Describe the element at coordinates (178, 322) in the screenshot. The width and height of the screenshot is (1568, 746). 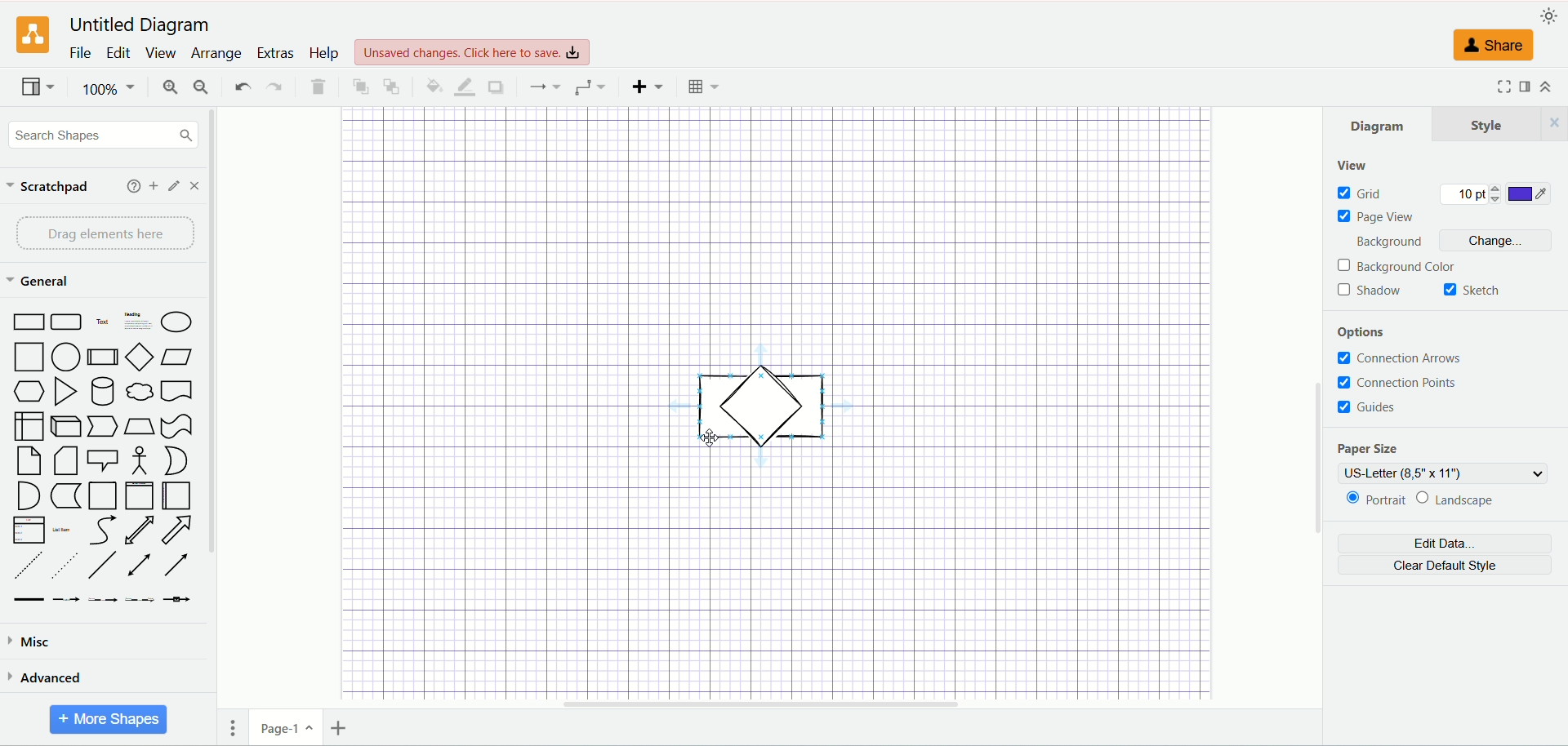
I see `eclipse` at that location.